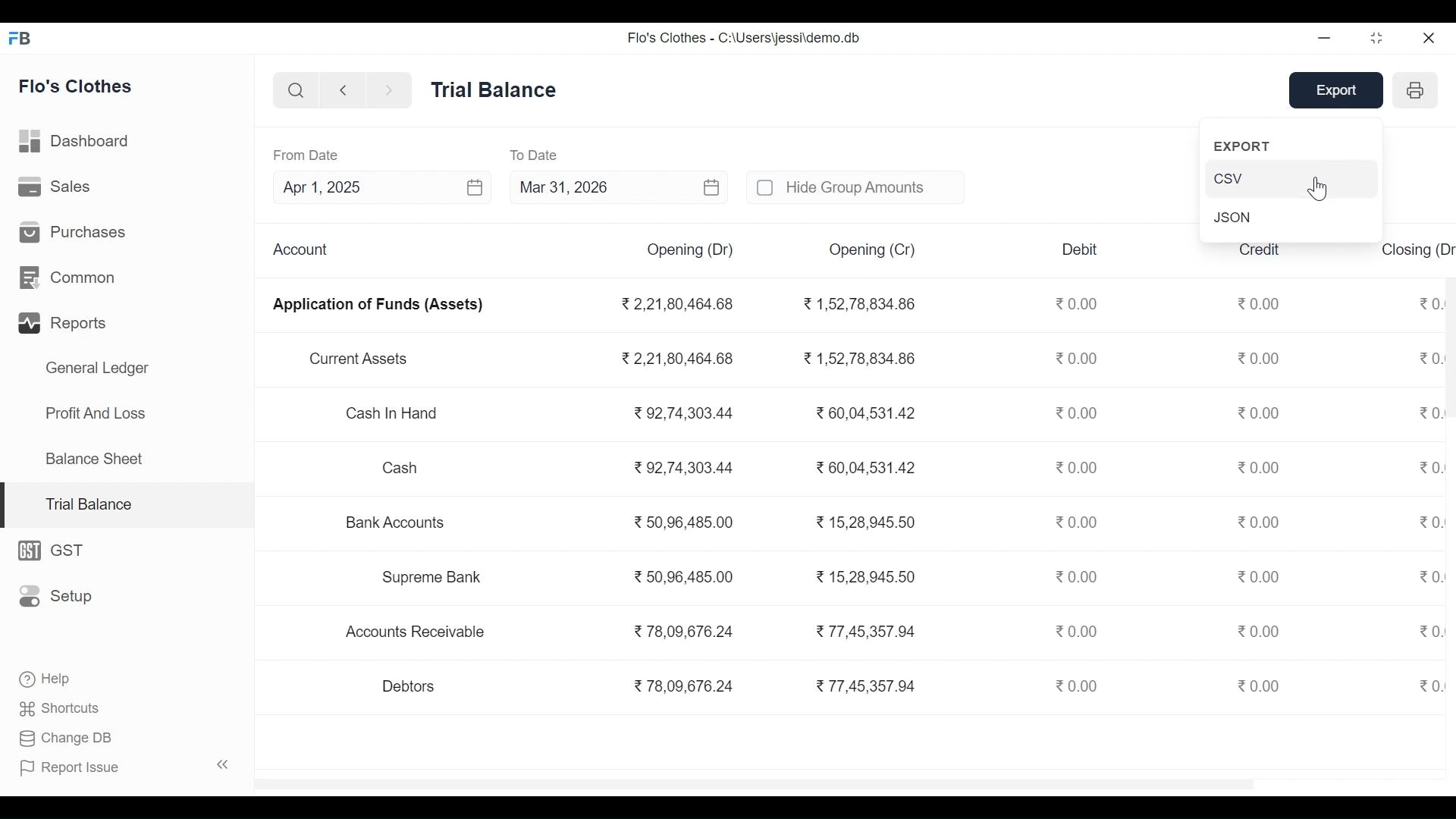 The width and height of the screenshot is (1456, 819). What do you see at coordinates (128, 506) in the screenshot?
I see `Trial Balance` at bounding box center [128, 506].